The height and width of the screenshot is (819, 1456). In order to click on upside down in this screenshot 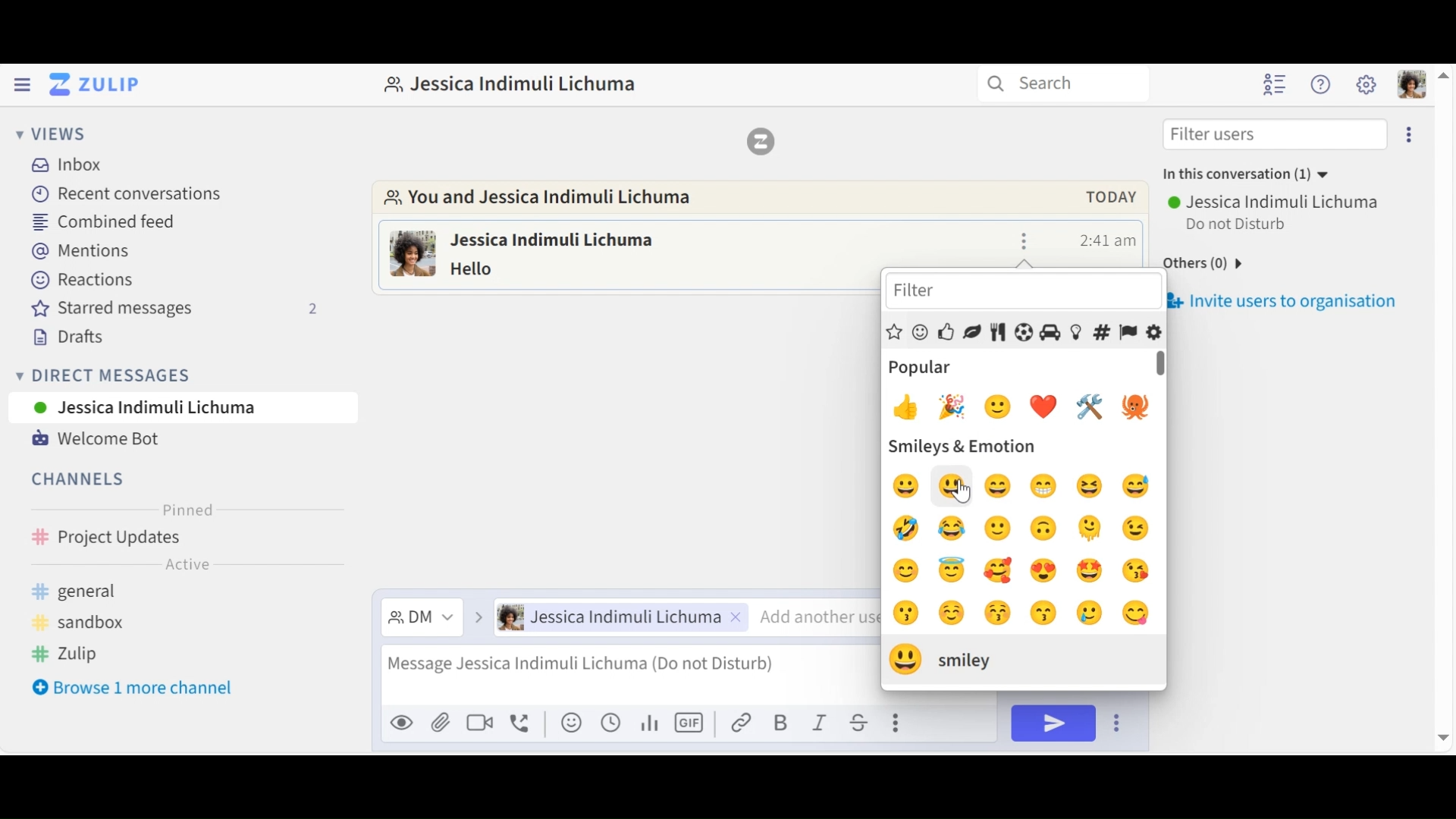, I will do `click(1046, 529)`.